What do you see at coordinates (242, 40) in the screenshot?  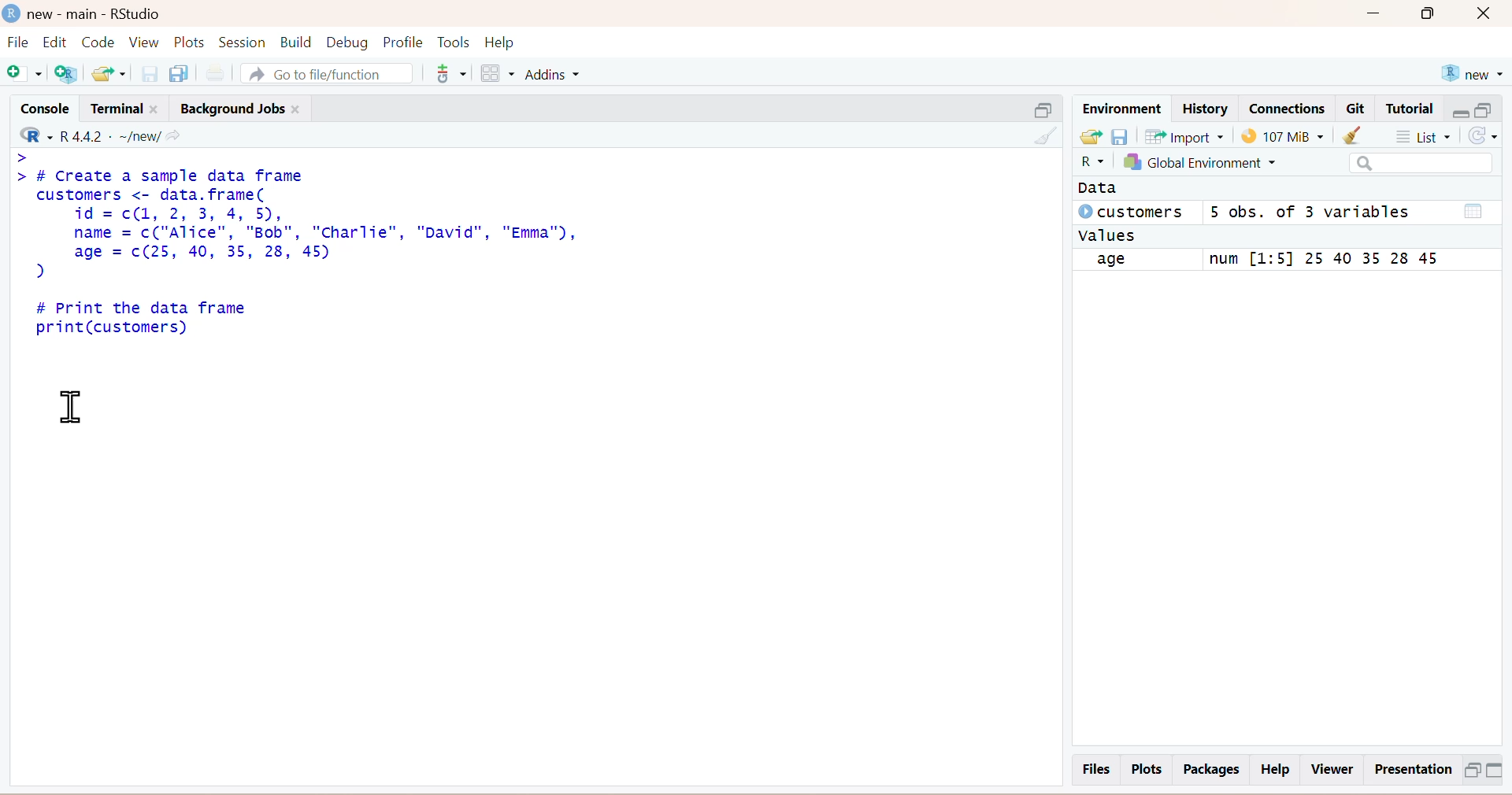 I see `Session` at bounding box center [242, 40].